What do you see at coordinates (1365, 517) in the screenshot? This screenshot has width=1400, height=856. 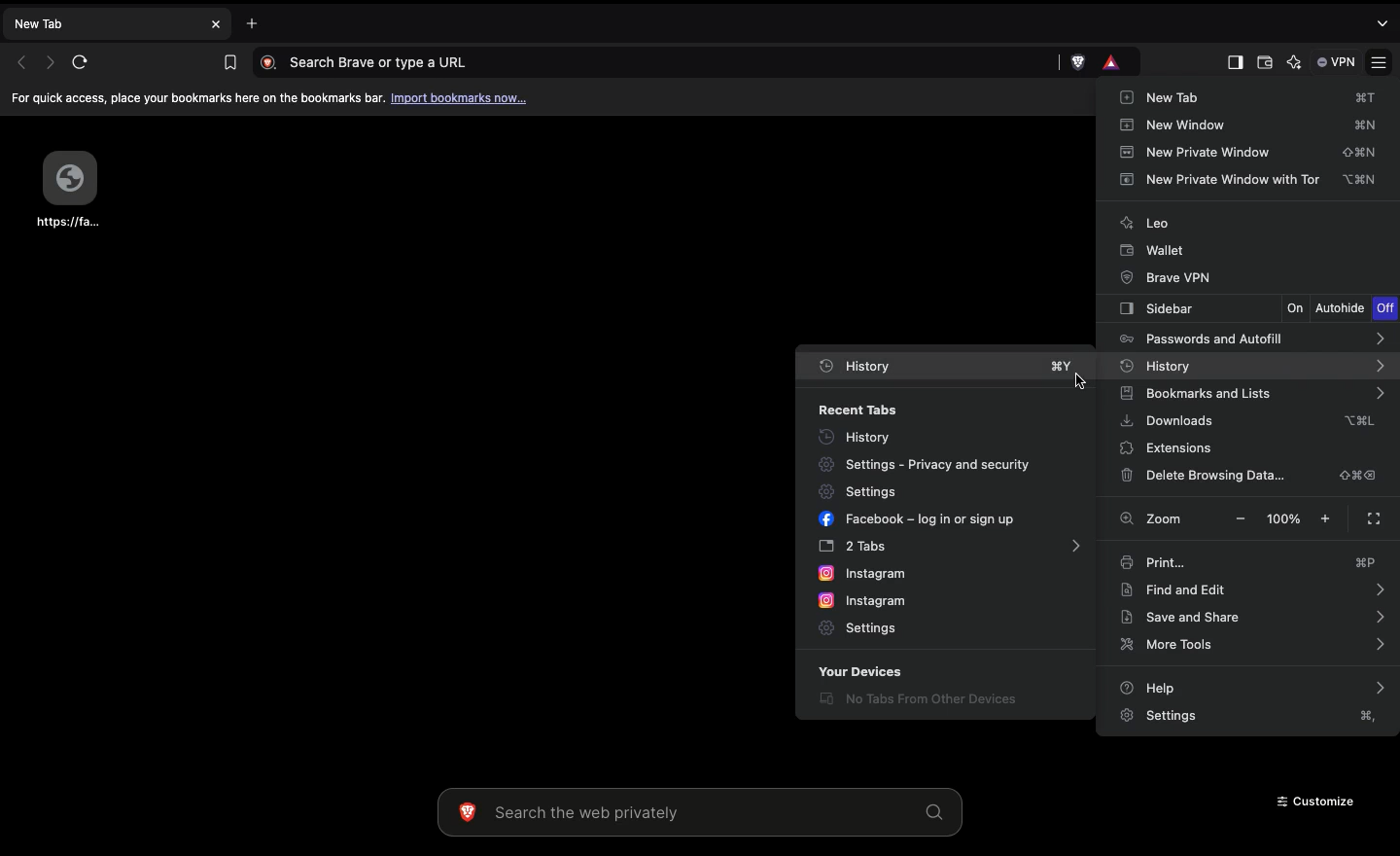 I see `Full screen` at bounding box center [1365, 517].